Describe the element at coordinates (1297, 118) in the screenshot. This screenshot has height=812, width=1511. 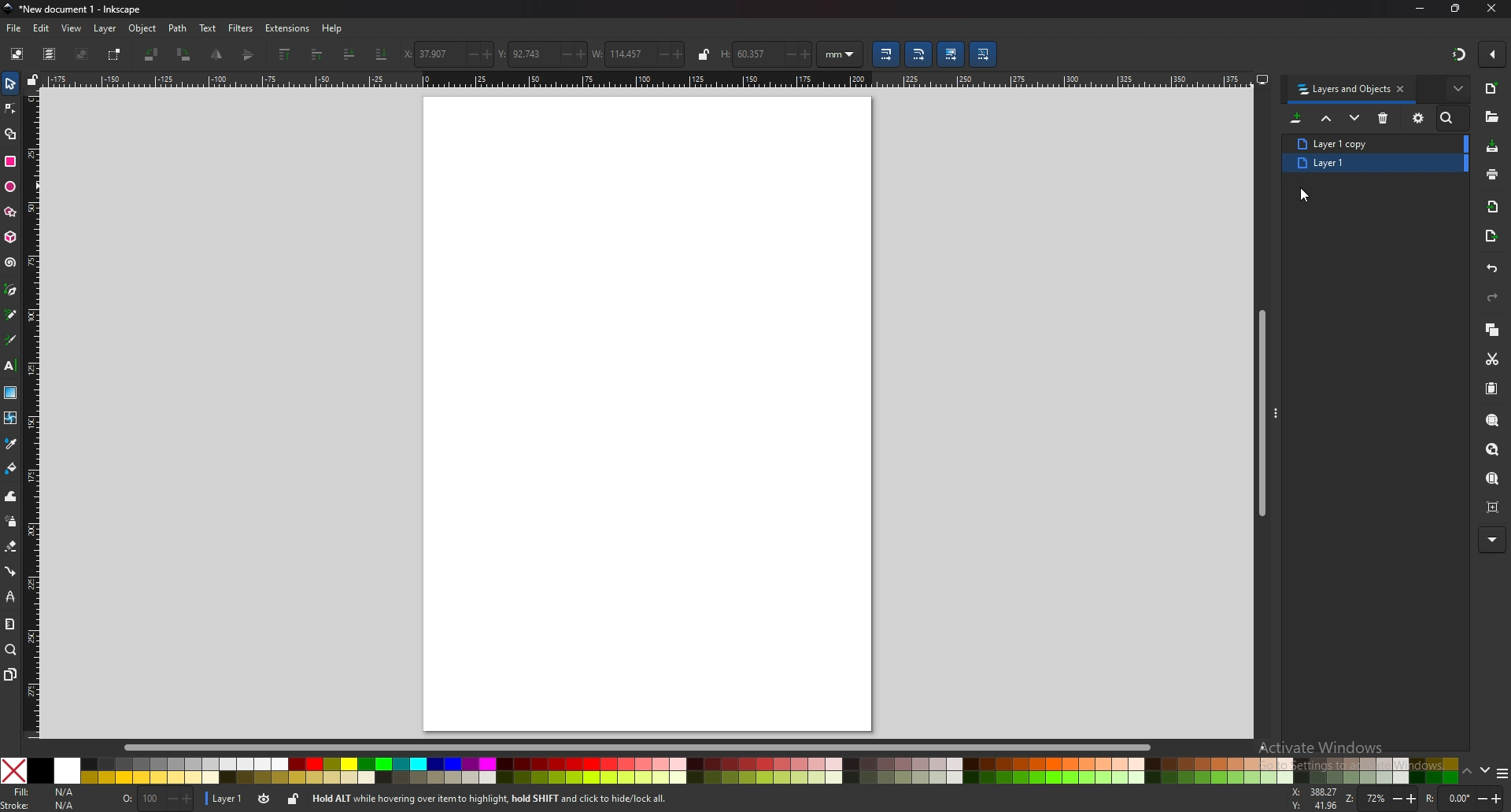
I see `add layer` at that location.